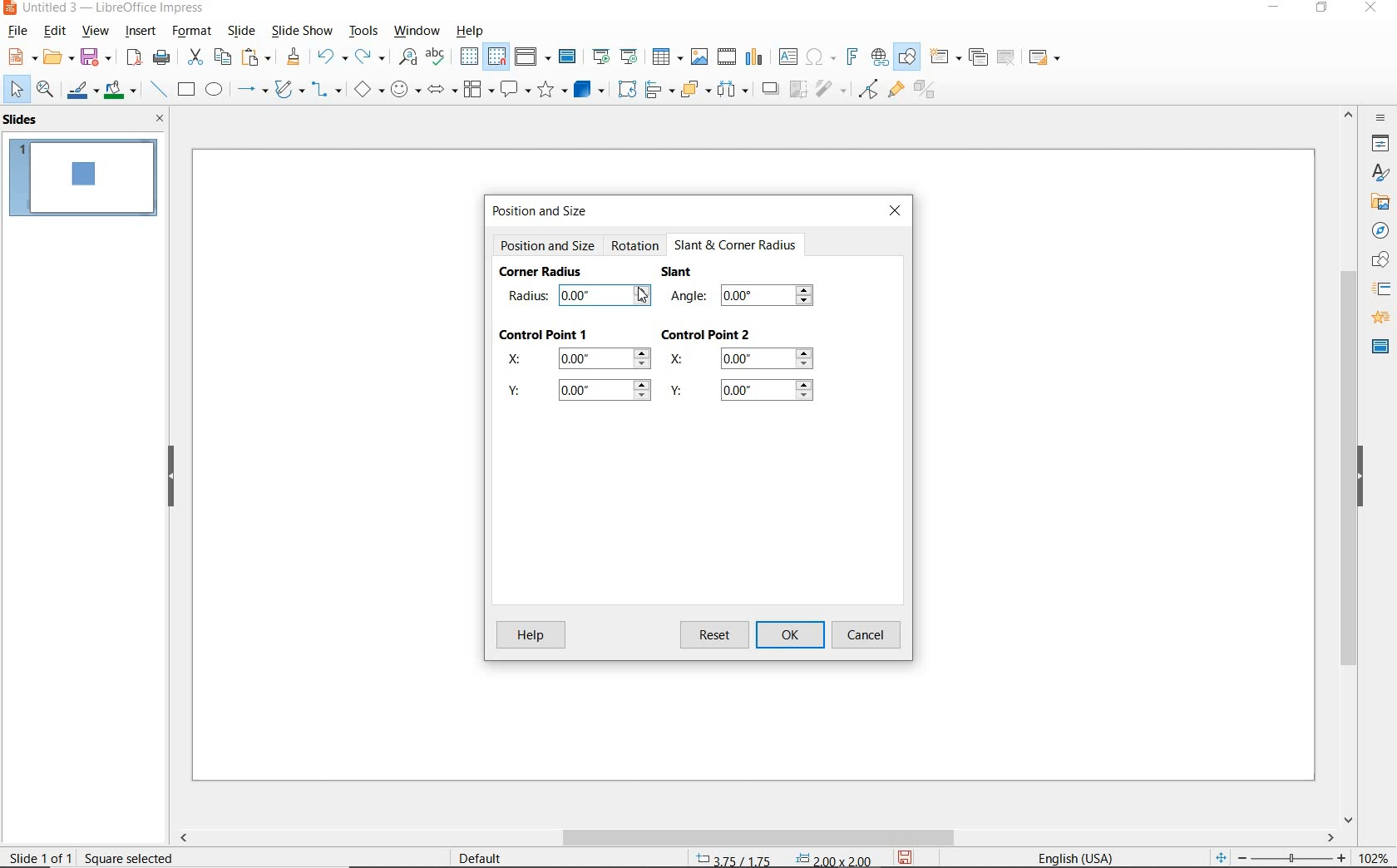 This screenshot has width=1397, height=868. I want to click on RESET, so click(714, 634).